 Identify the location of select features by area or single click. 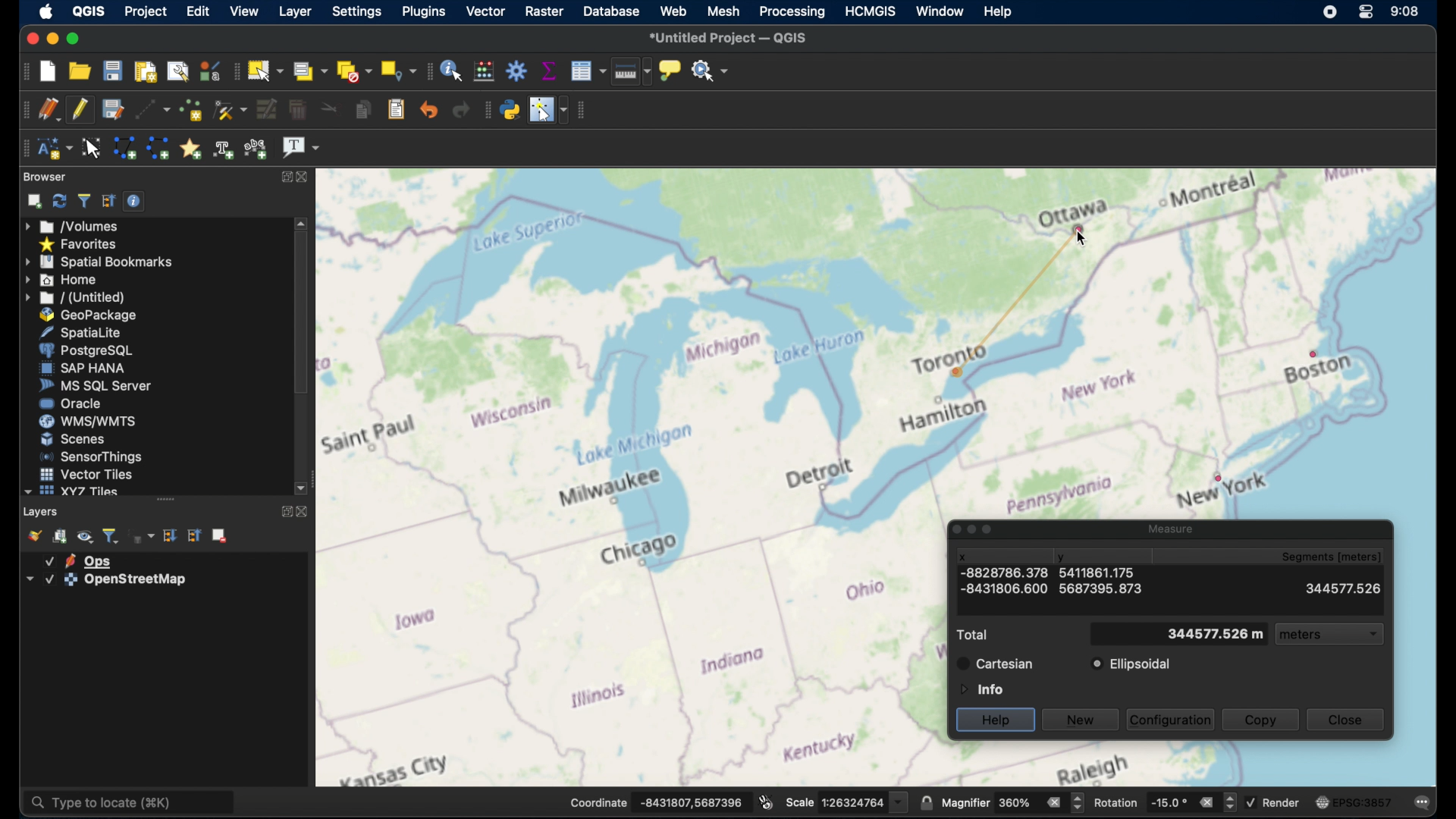
(268, 70).